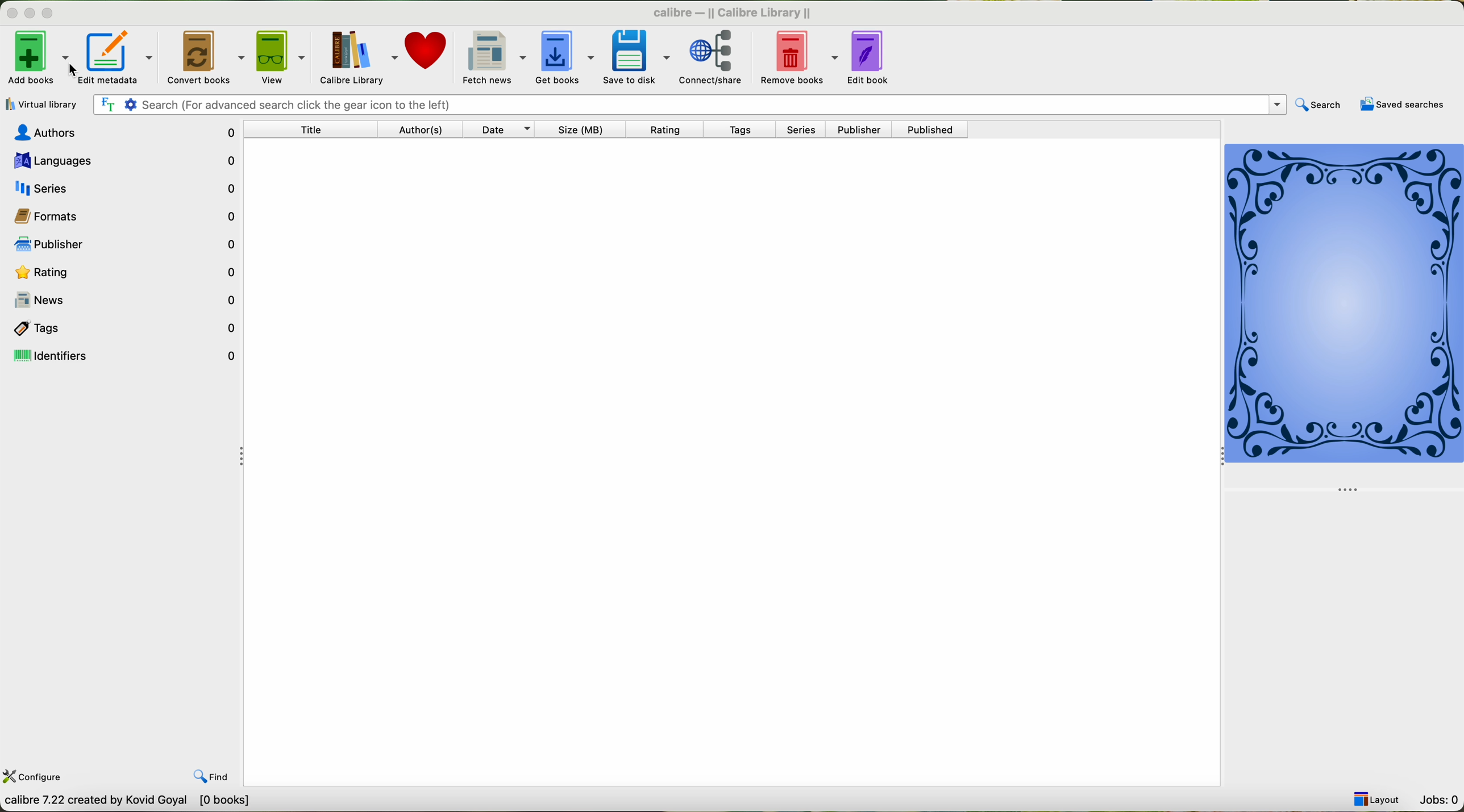 Image resolution: width=1464 pixels, height=812 pixels. Describe the element at coordinates (120, 244) in the screenshot. I see `publisher` at that location.